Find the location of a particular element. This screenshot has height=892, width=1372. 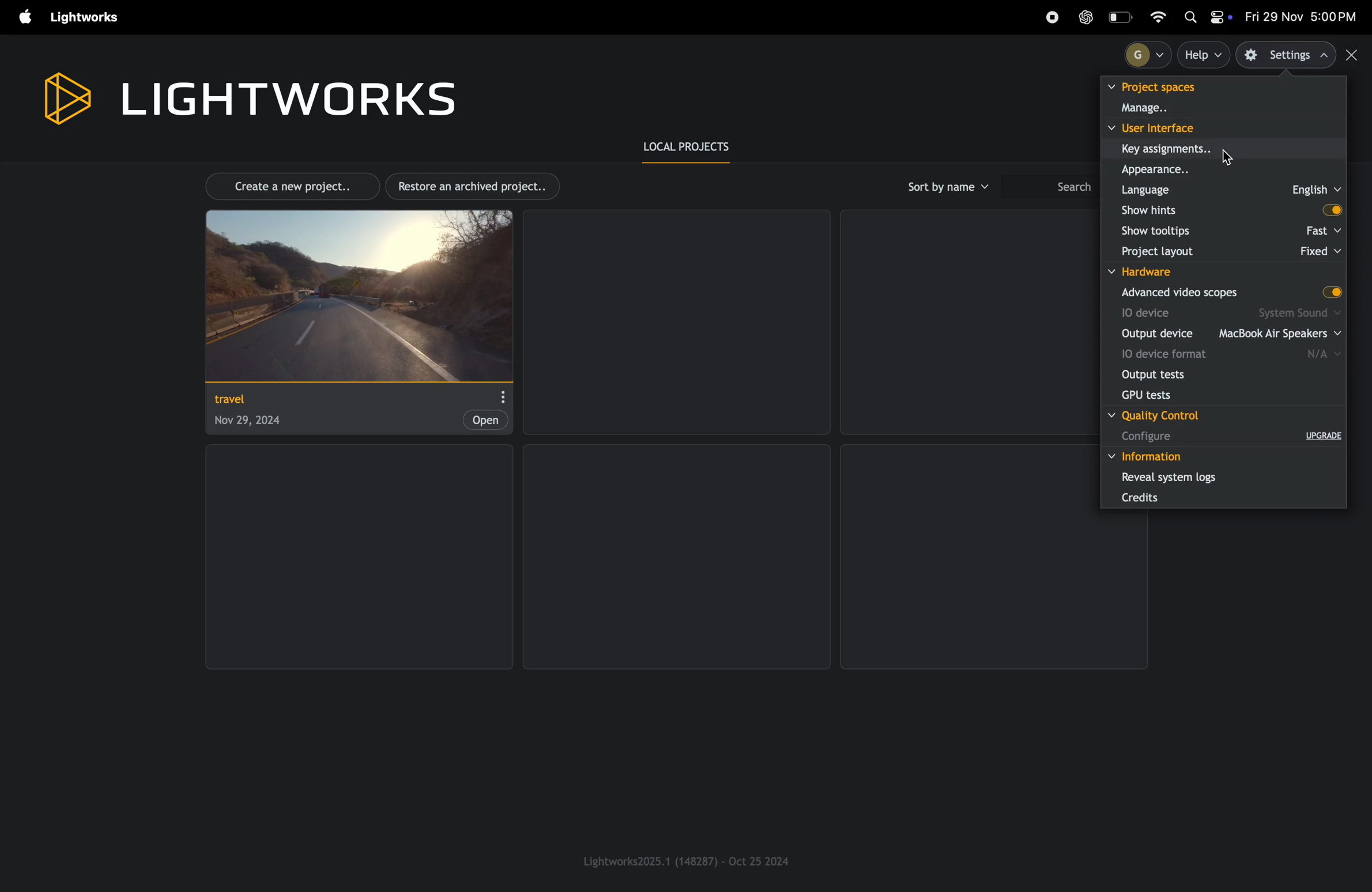

show hints is located at coordinates (1167, 211).